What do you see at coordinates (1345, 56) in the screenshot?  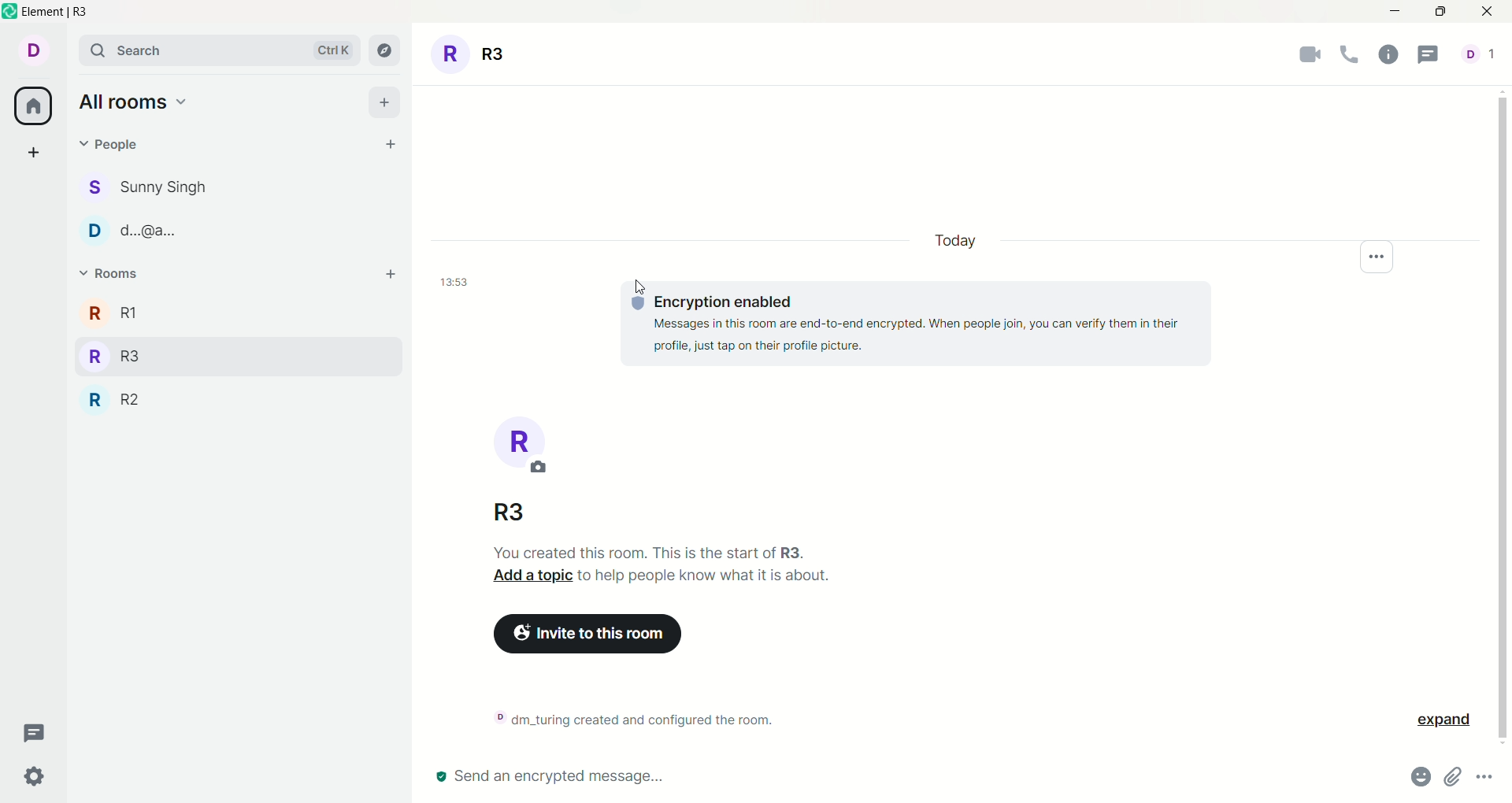 I see `voice call` at bounding box center [1345, 56].